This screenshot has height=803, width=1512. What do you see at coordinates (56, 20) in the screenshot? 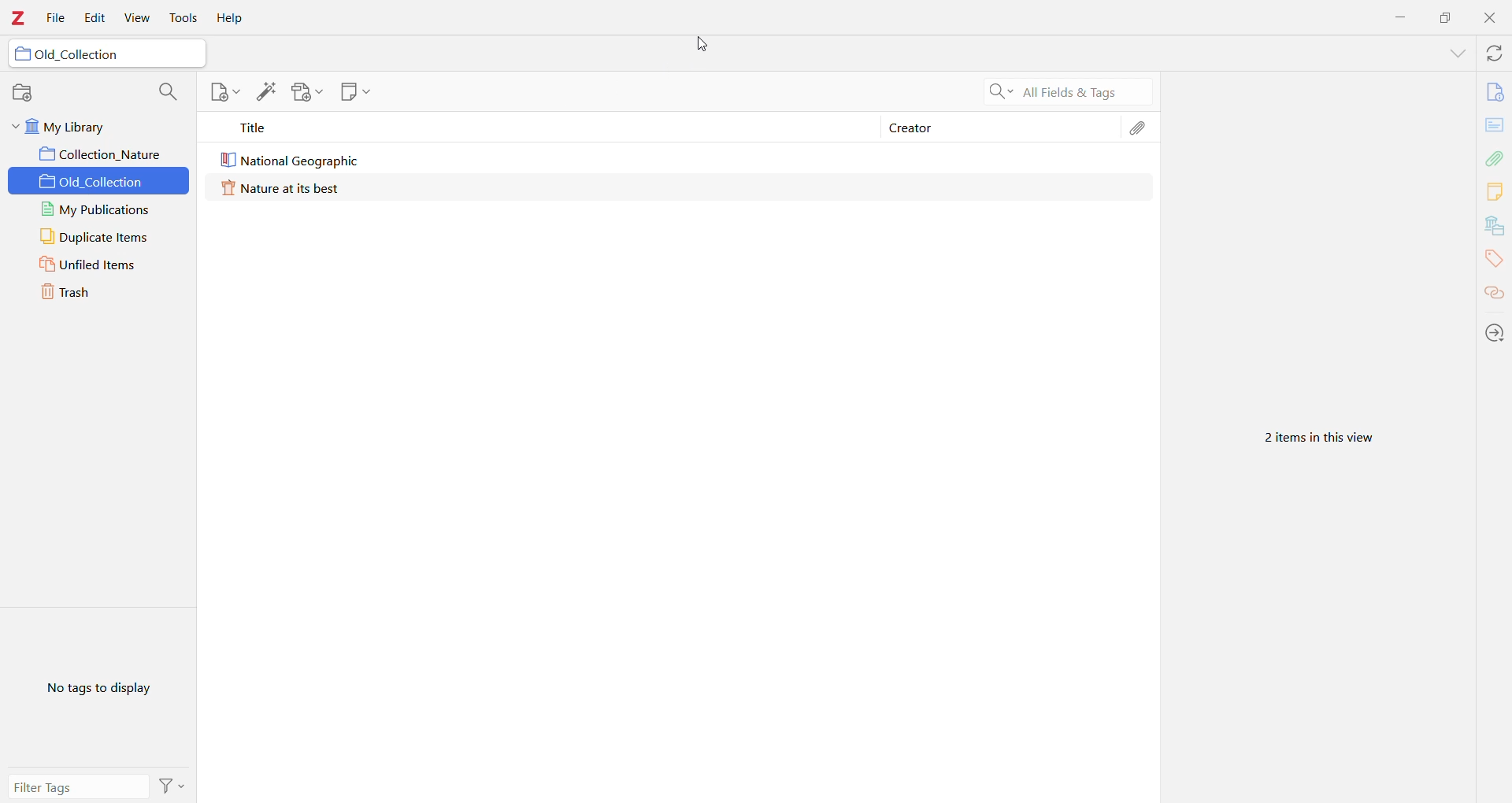
I see `File` at bounding box center [56, 20].